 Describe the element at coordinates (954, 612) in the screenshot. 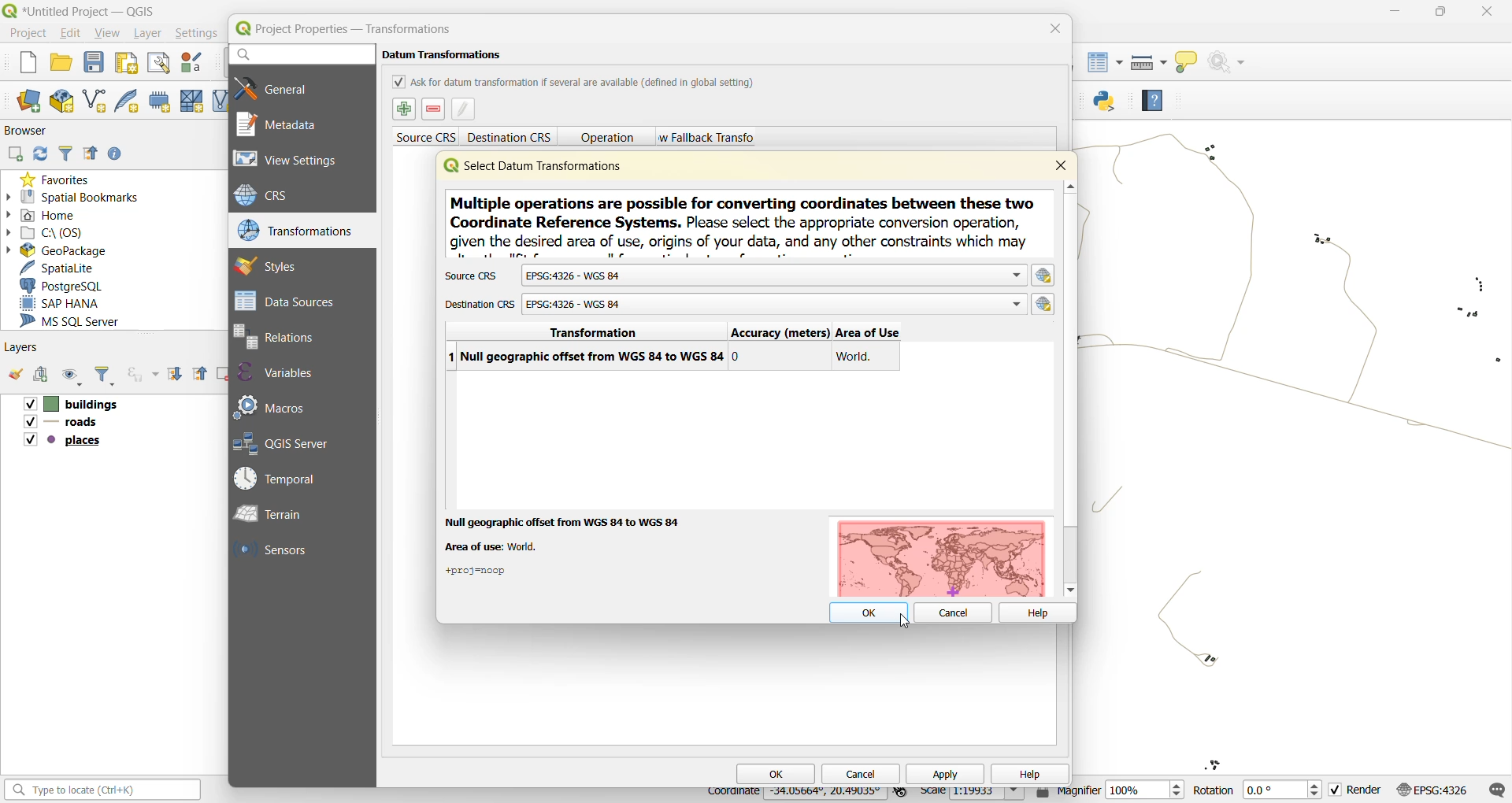

I see `cancel` at that location.